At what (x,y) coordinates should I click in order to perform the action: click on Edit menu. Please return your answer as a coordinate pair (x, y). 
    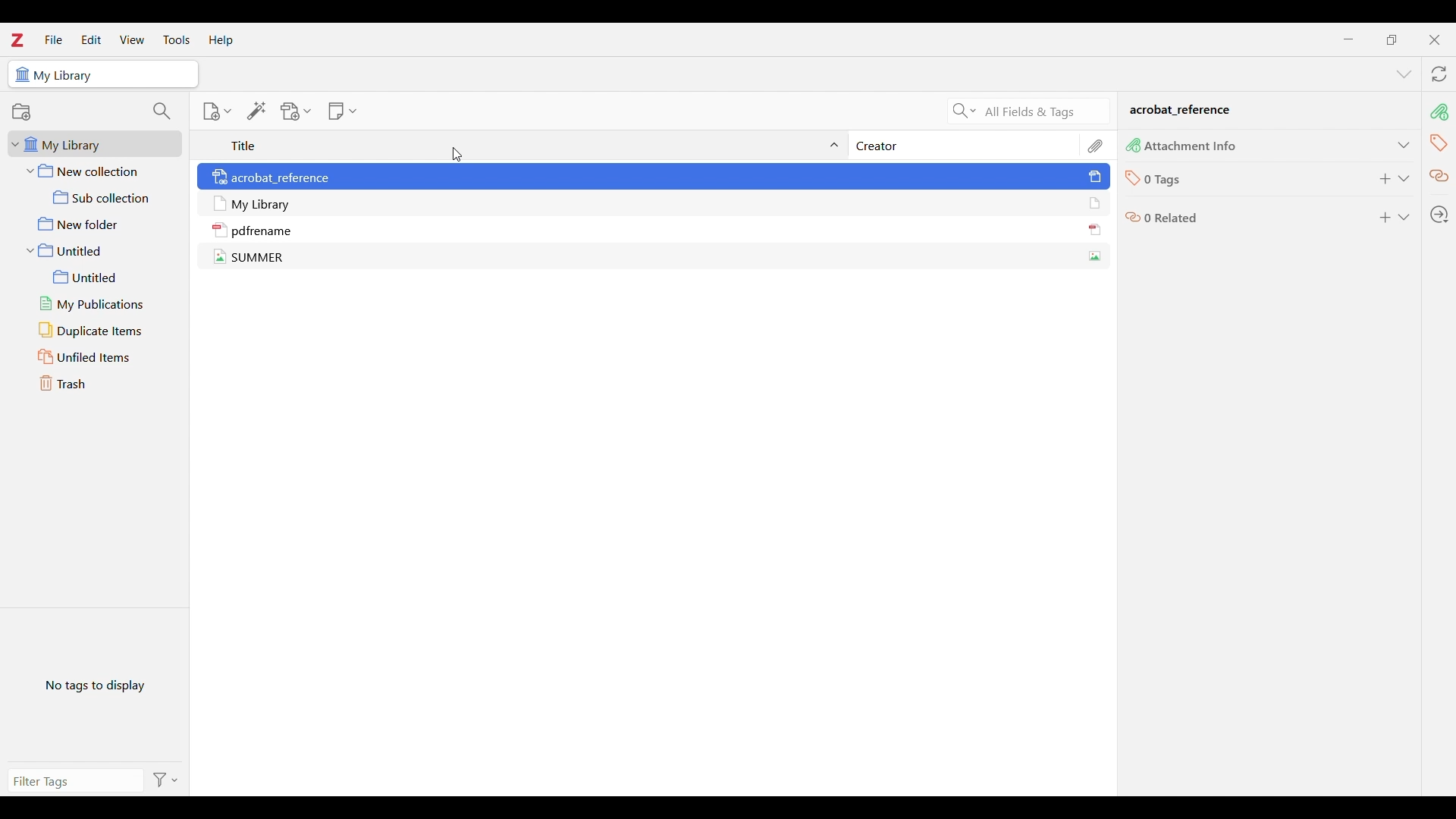
    Looking at the image, I should click on (91, 39).